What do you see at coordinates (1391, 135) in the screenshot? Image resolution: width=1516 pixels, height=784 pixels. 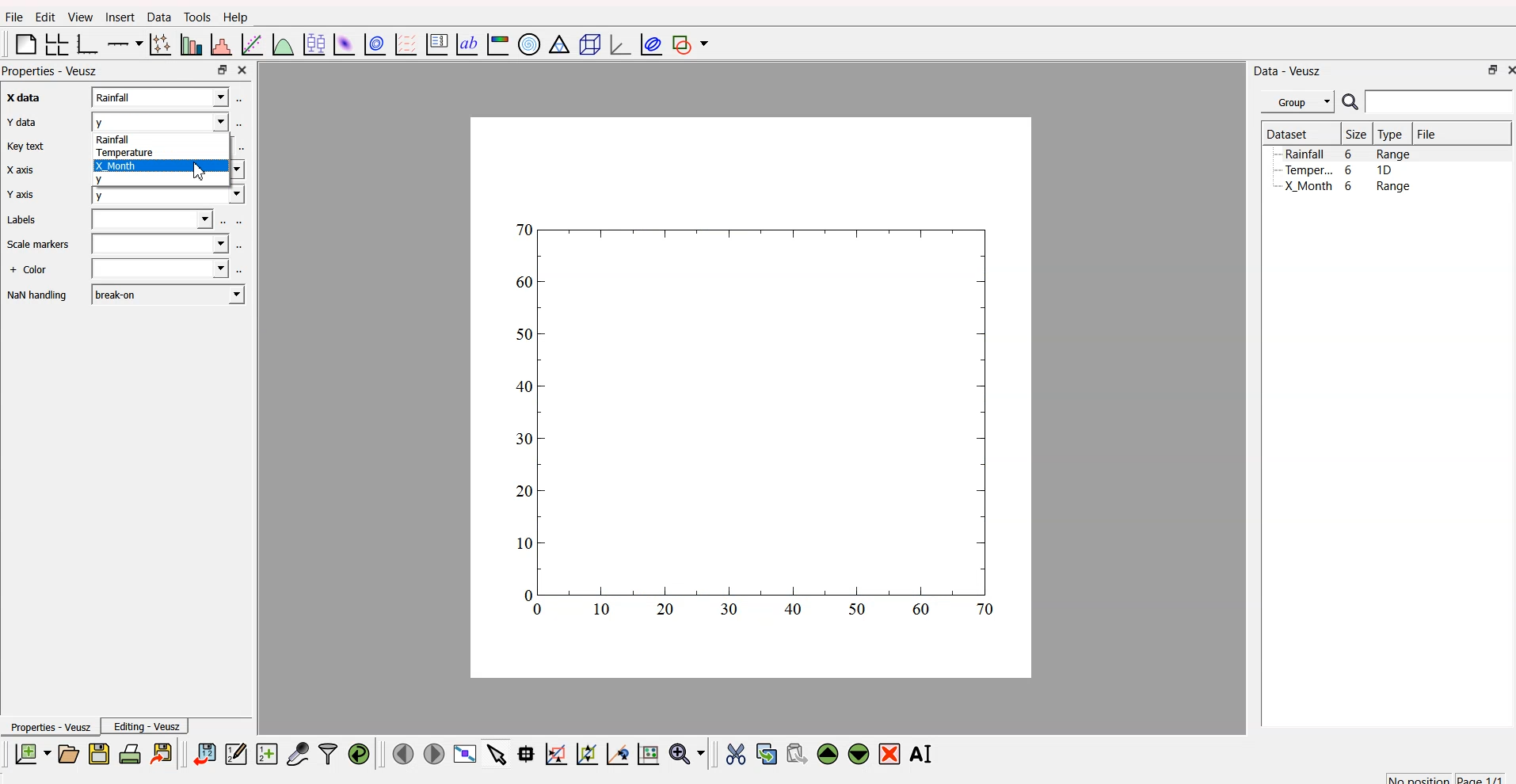 I see `Type` at bounding box center [1391, 135].